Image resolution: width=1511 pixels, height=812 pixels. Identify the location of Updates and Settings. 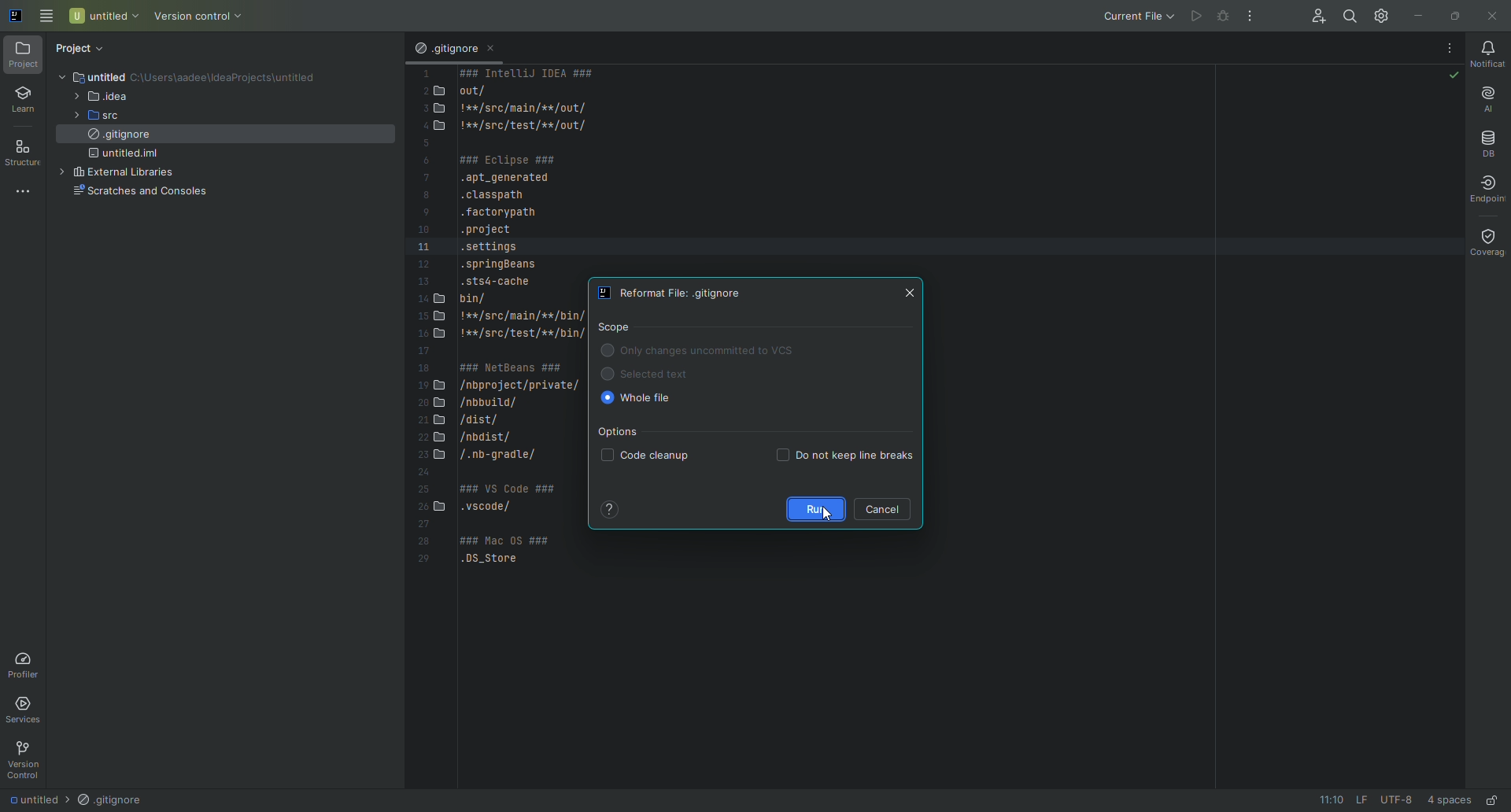
(1380, 13).